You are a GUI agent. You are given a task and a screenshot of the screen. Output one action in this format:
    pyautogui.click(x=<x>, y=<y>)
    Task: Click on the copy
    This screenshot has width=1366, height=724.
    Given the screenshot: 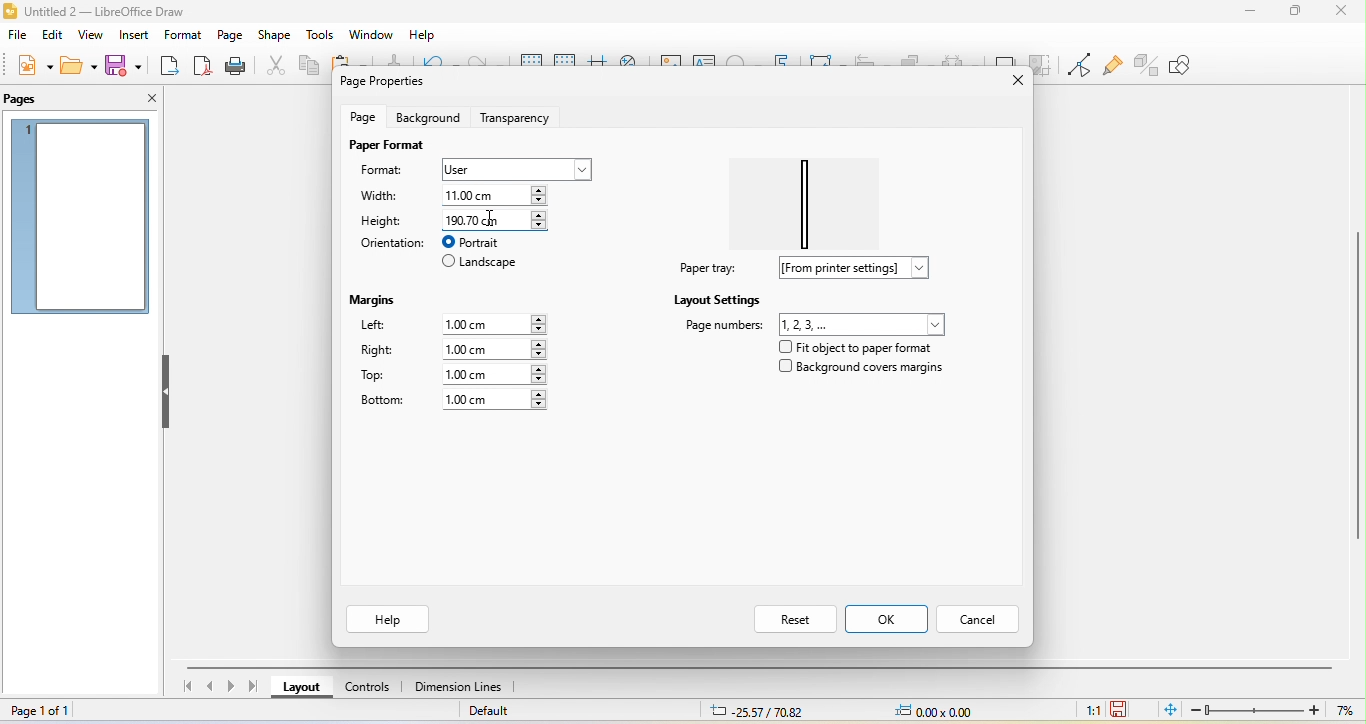 What is the action you would take?
    pyautogui.click(x=308, y=68)
    